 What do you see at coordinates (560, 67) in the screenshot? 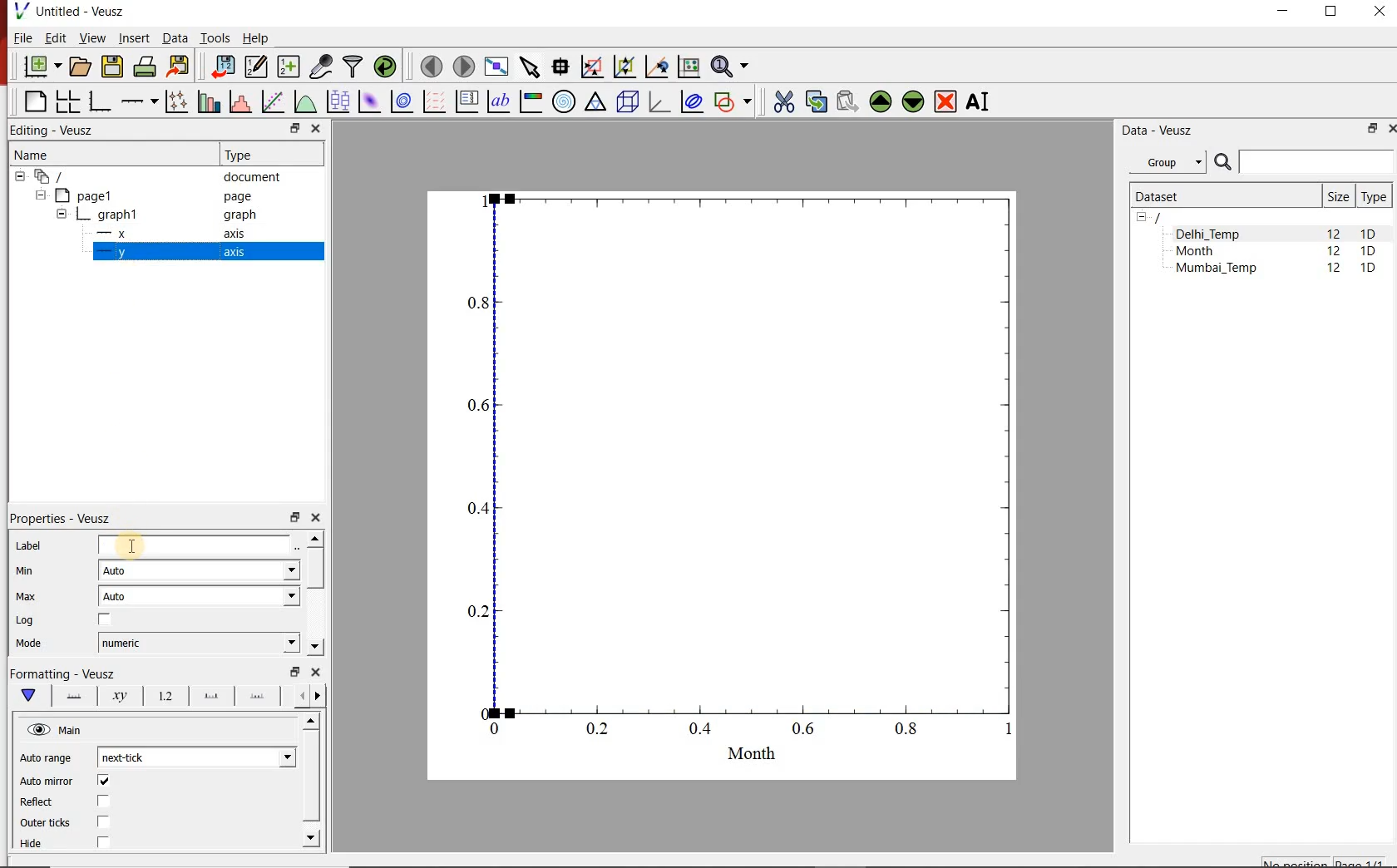
I see `read data points on the graph` at bounding box center [560, 67].